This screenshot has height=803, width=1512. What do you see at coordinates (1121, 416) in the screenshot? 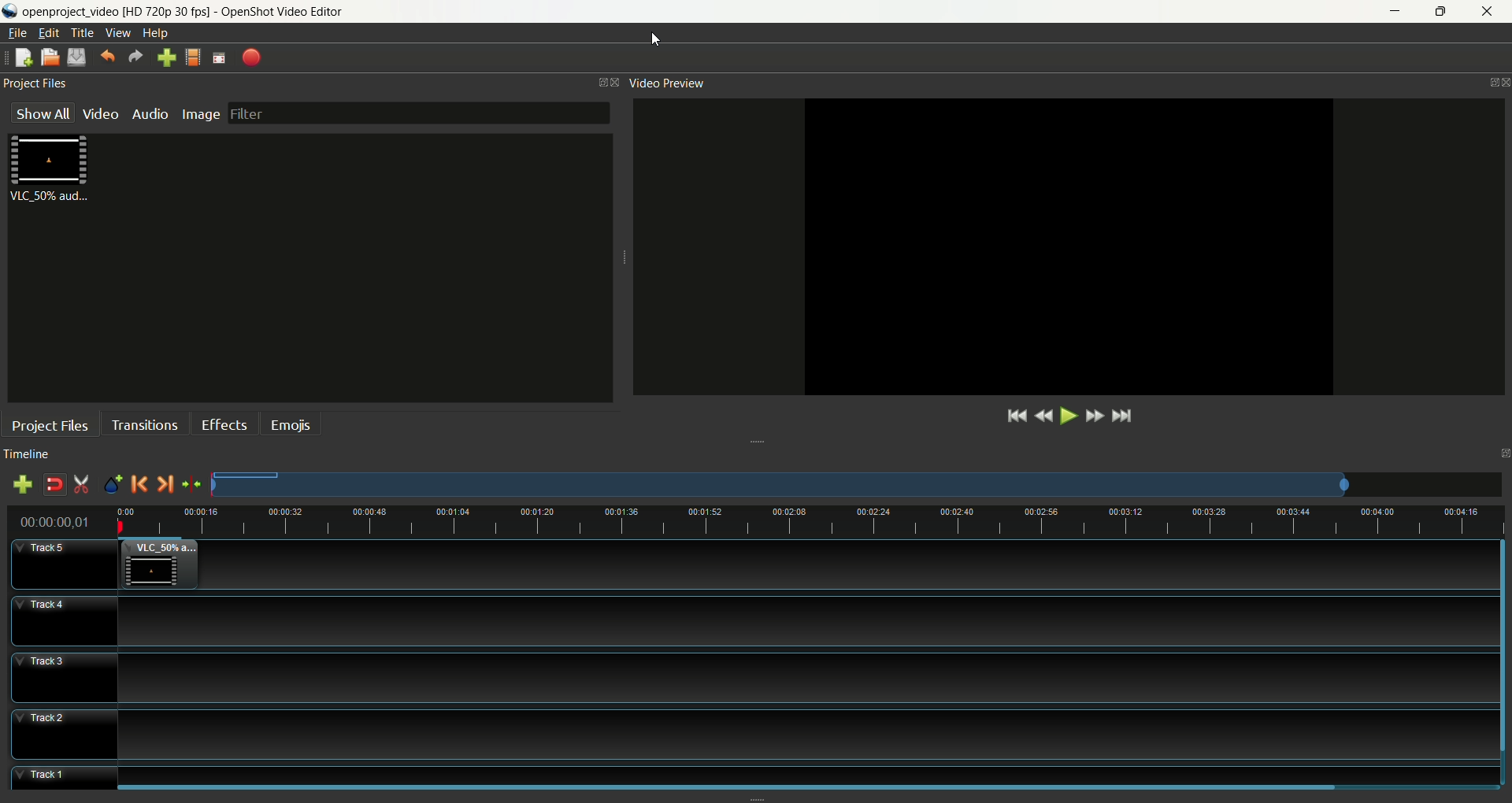
I see `jump to end` at bounding box center [1121, 416].